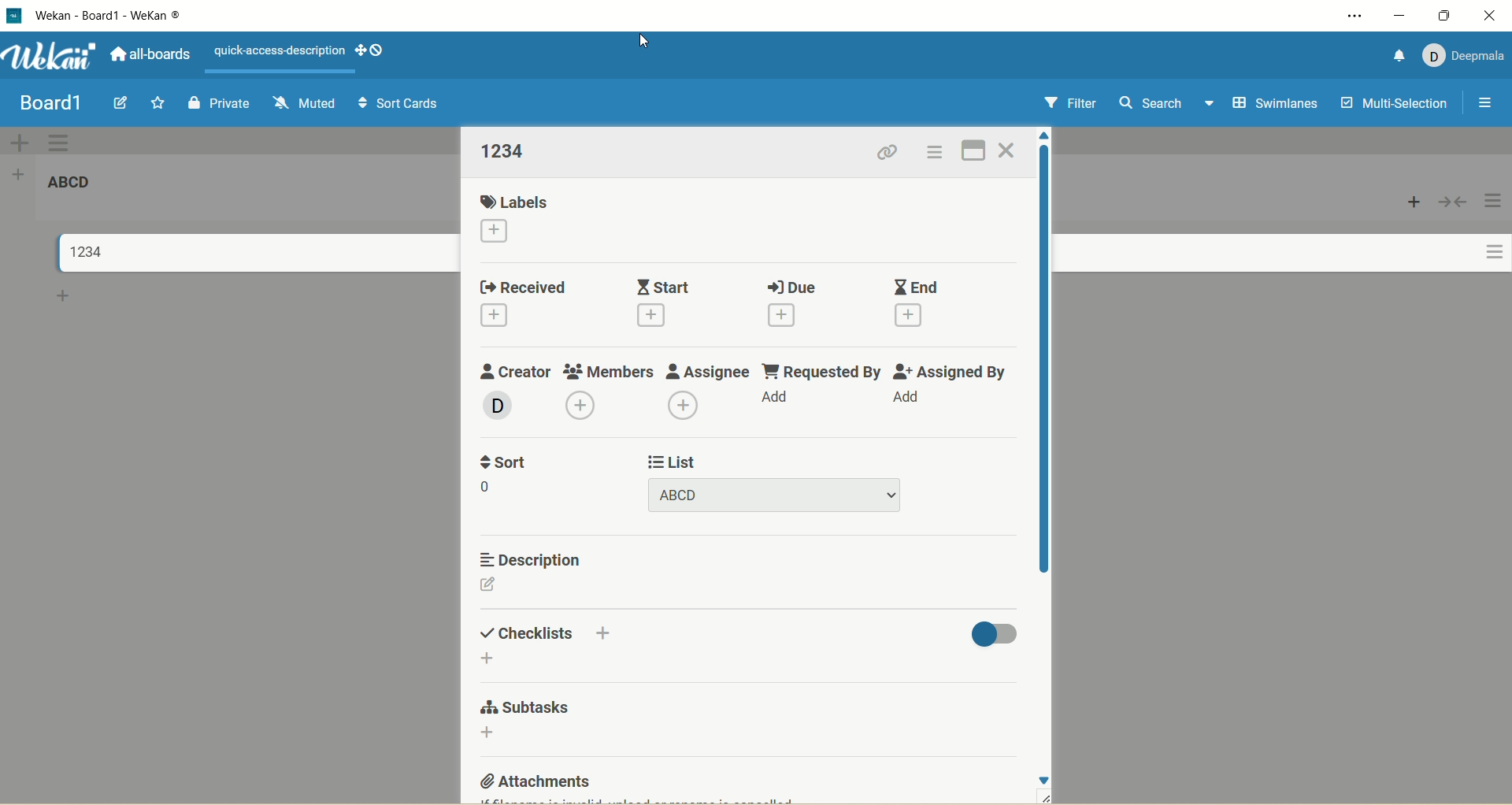 The image size is (1512, 805). I want to click on vertical scroll bar, so click(1043, 361).